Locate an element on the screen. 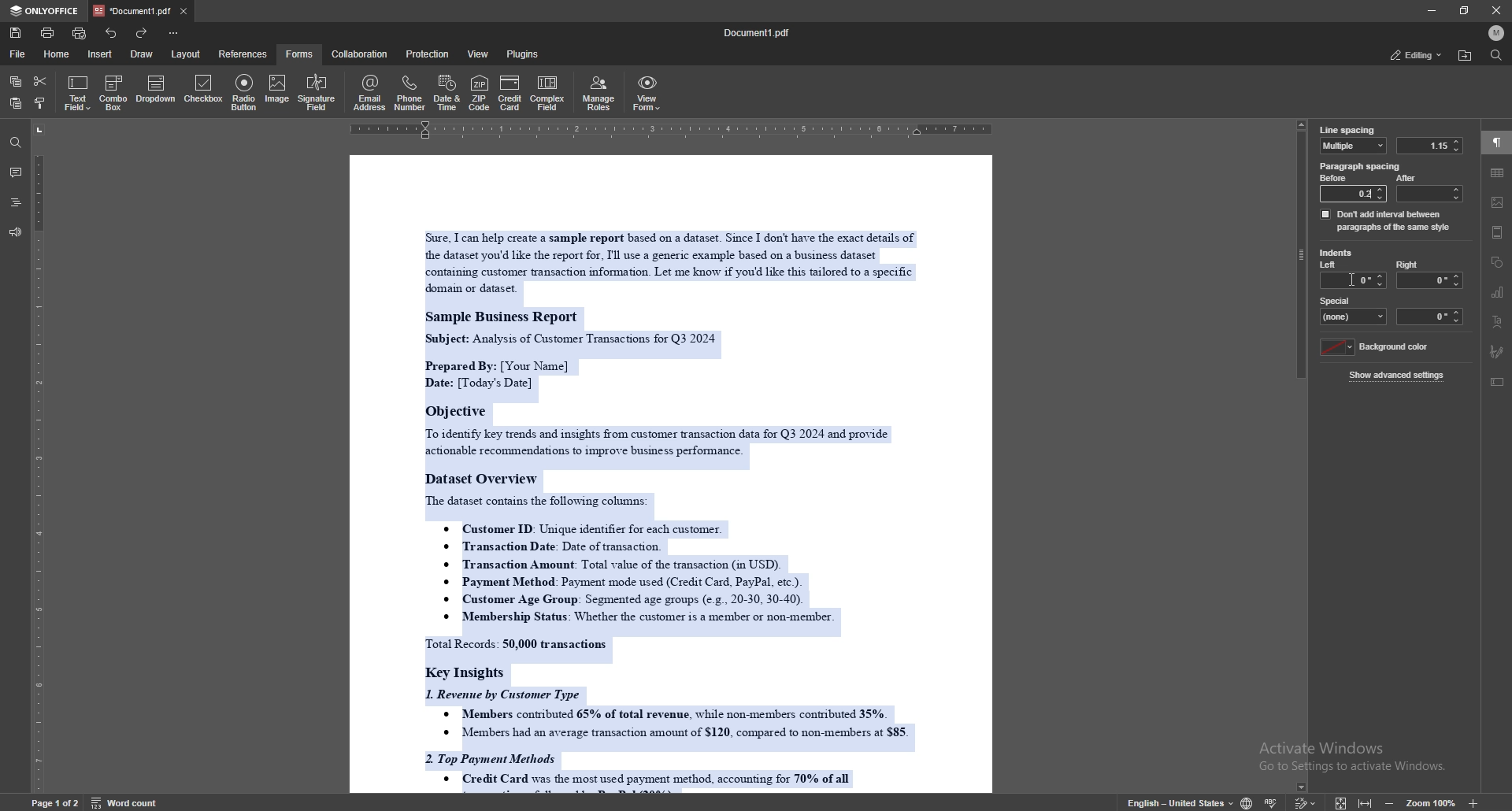  header and footer is located at coordinates (1498, 232).